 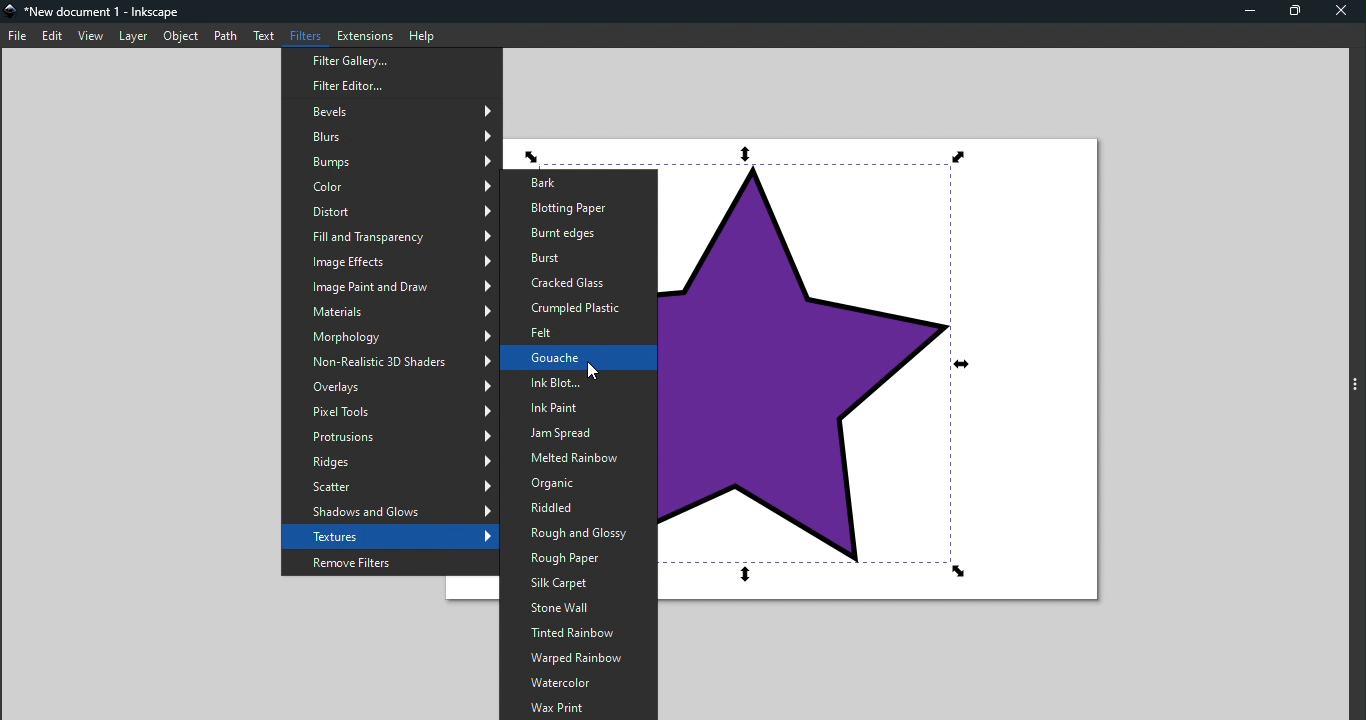 I want to click on Maximize, so click(x=1293, y=13).